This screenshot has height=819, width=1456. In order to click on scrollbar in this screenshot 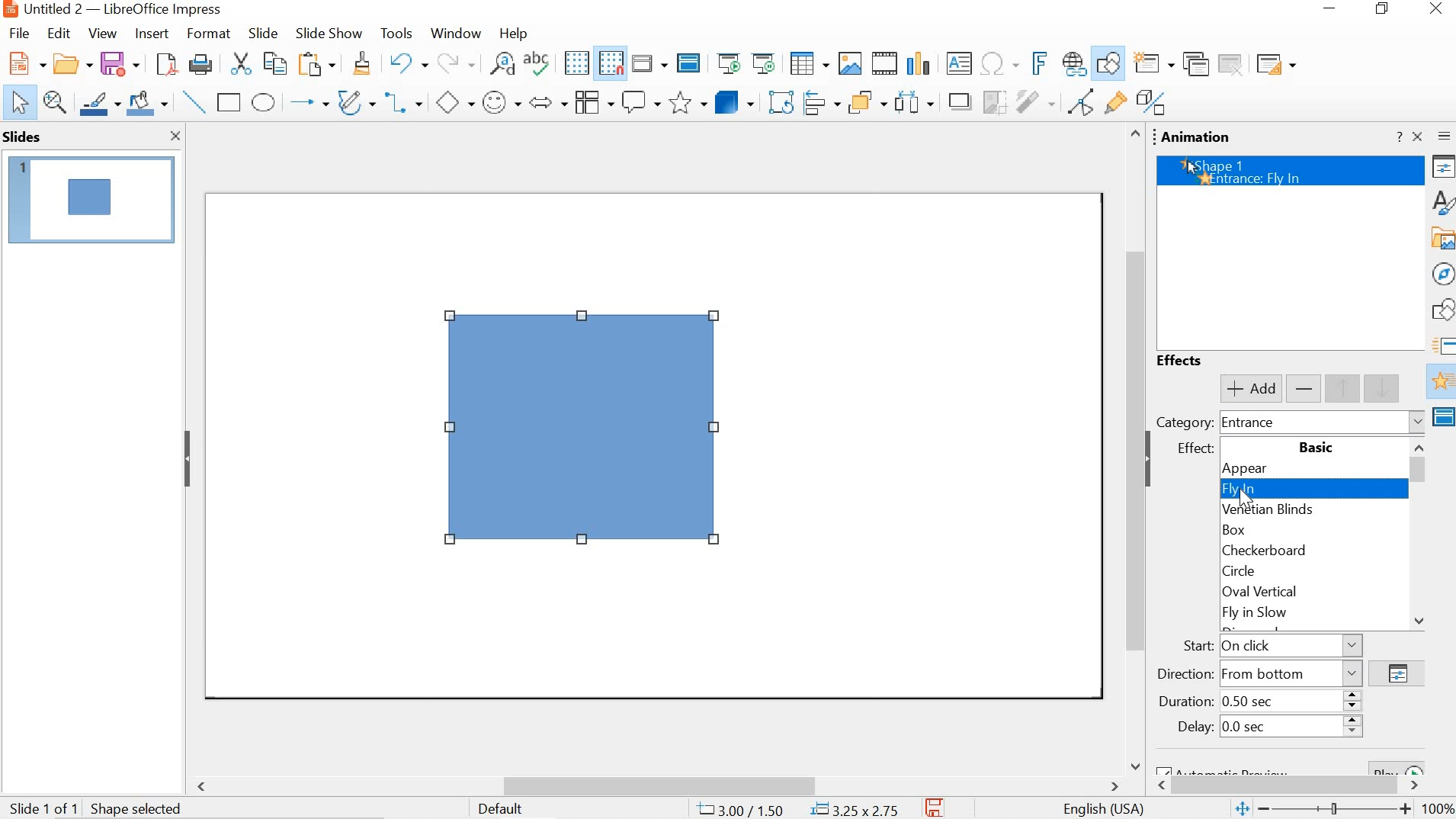, I will do `click(656, 784)`.